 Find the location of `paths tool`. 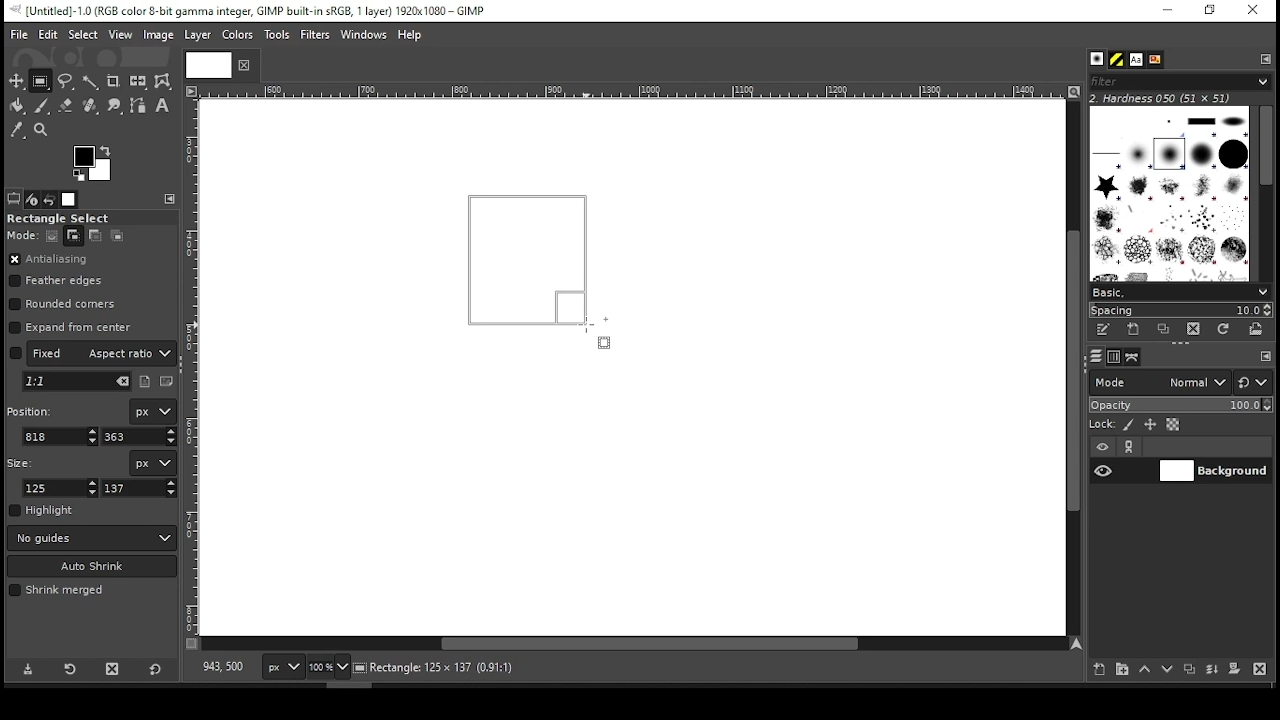

paths tool is located at coordinates (139, 107).